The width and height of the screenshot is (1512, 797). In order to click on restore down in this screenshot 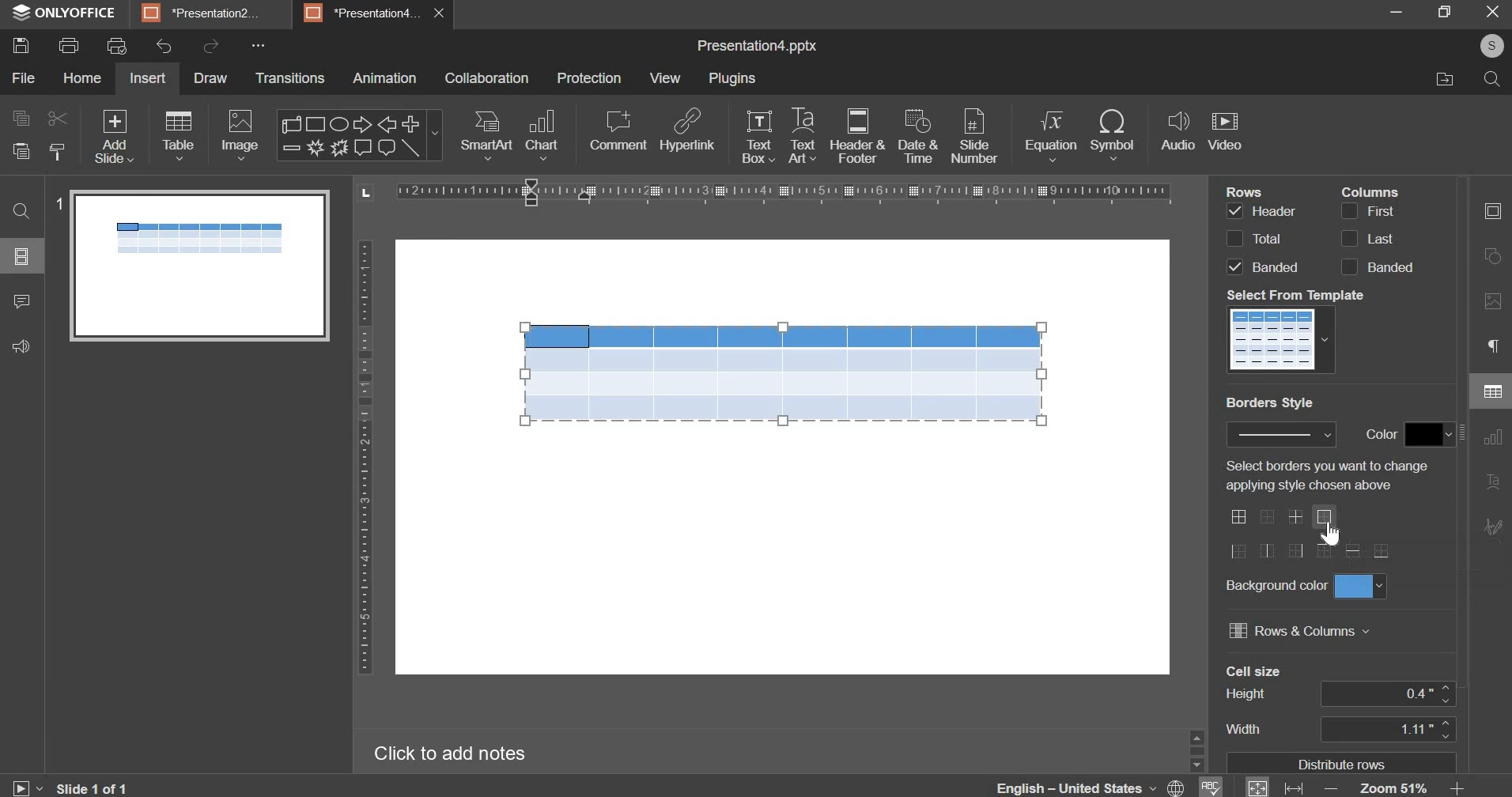, I will do `click(1444, 13)`.